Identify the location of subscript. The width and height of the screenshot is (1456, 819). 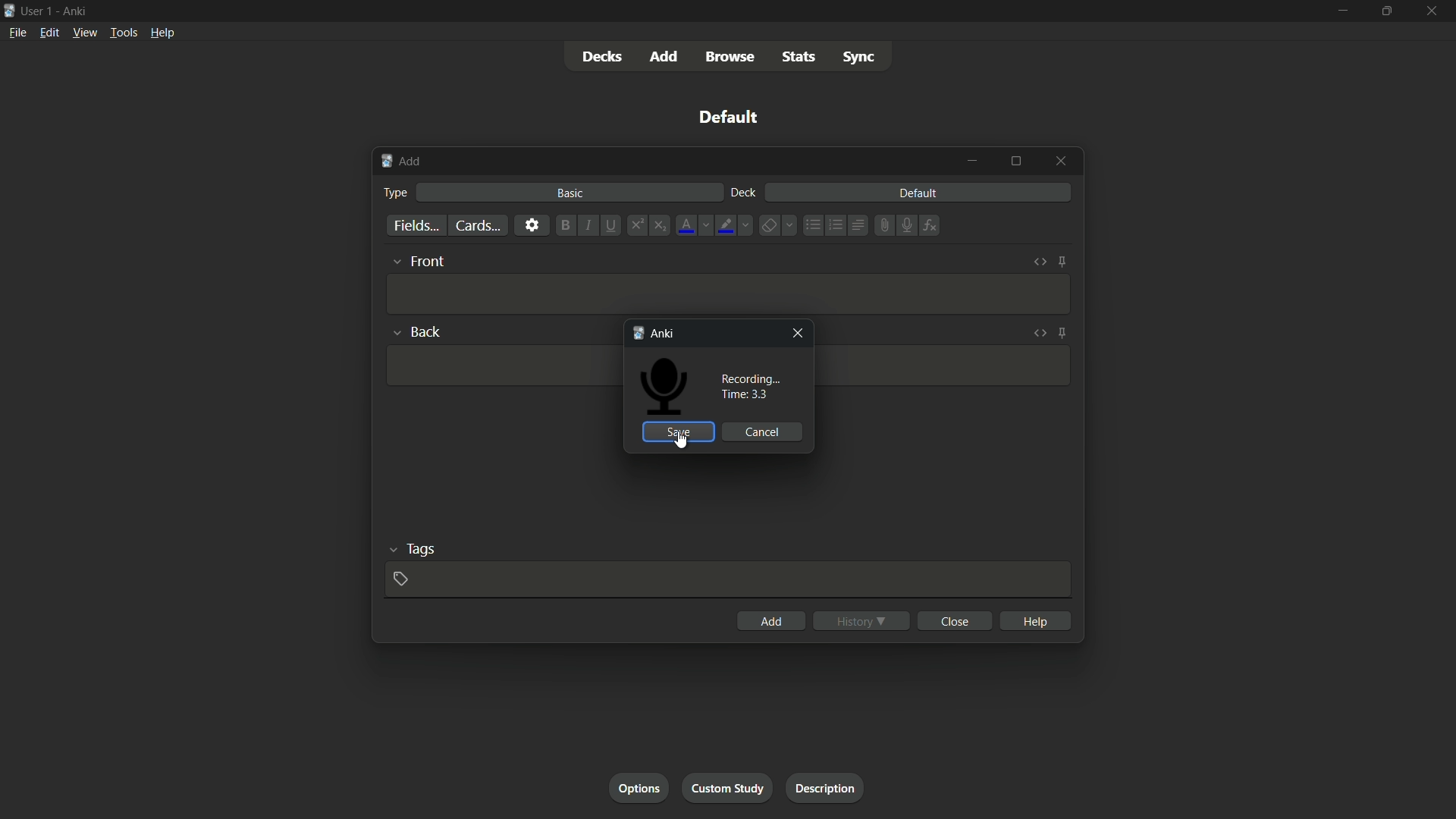
(662, 225).